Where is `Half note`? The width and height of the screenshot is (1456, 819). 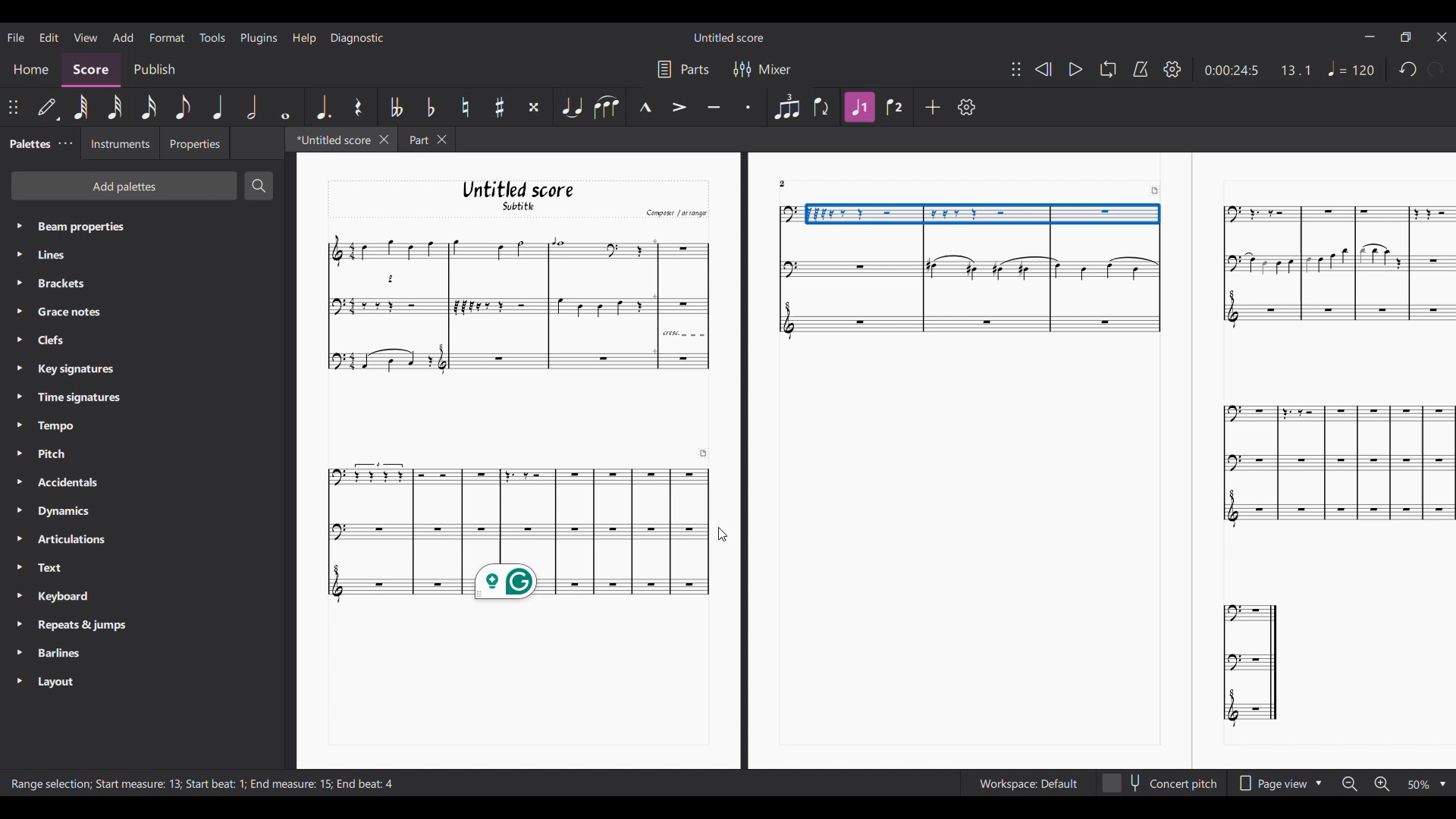 Half note is located at coordinates (252, 107).